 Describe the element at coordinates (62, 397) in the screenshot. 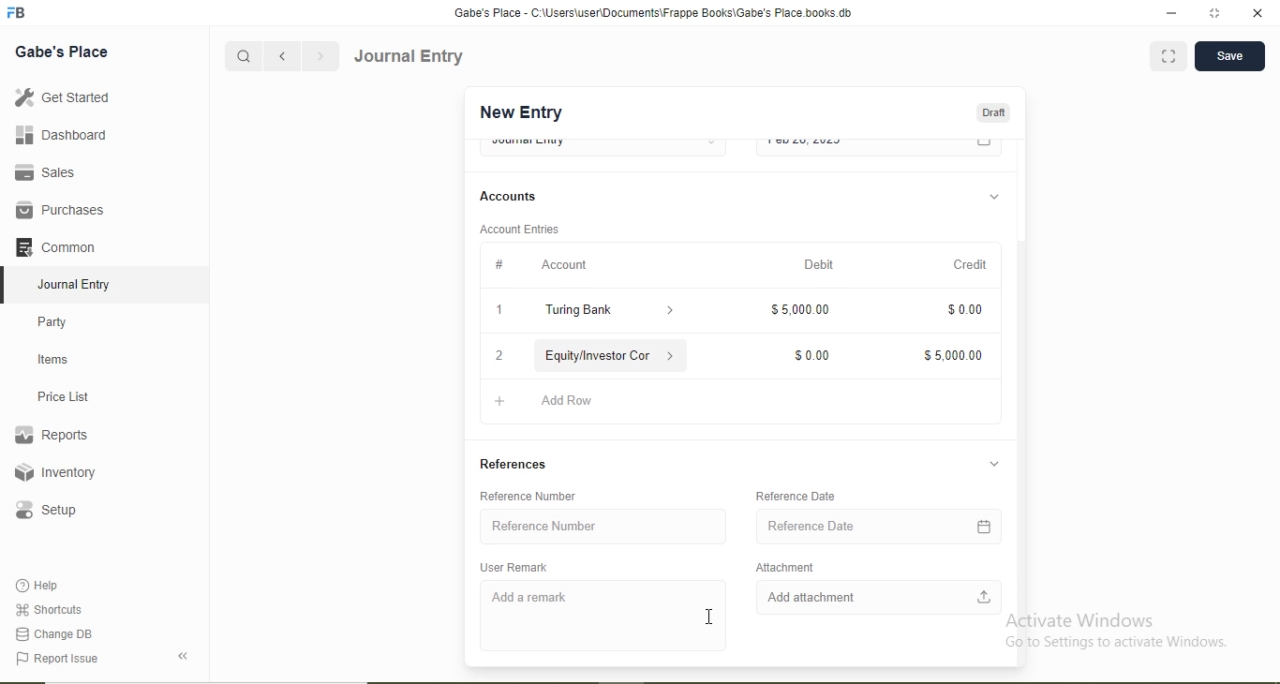

I see `Price List` at that location.